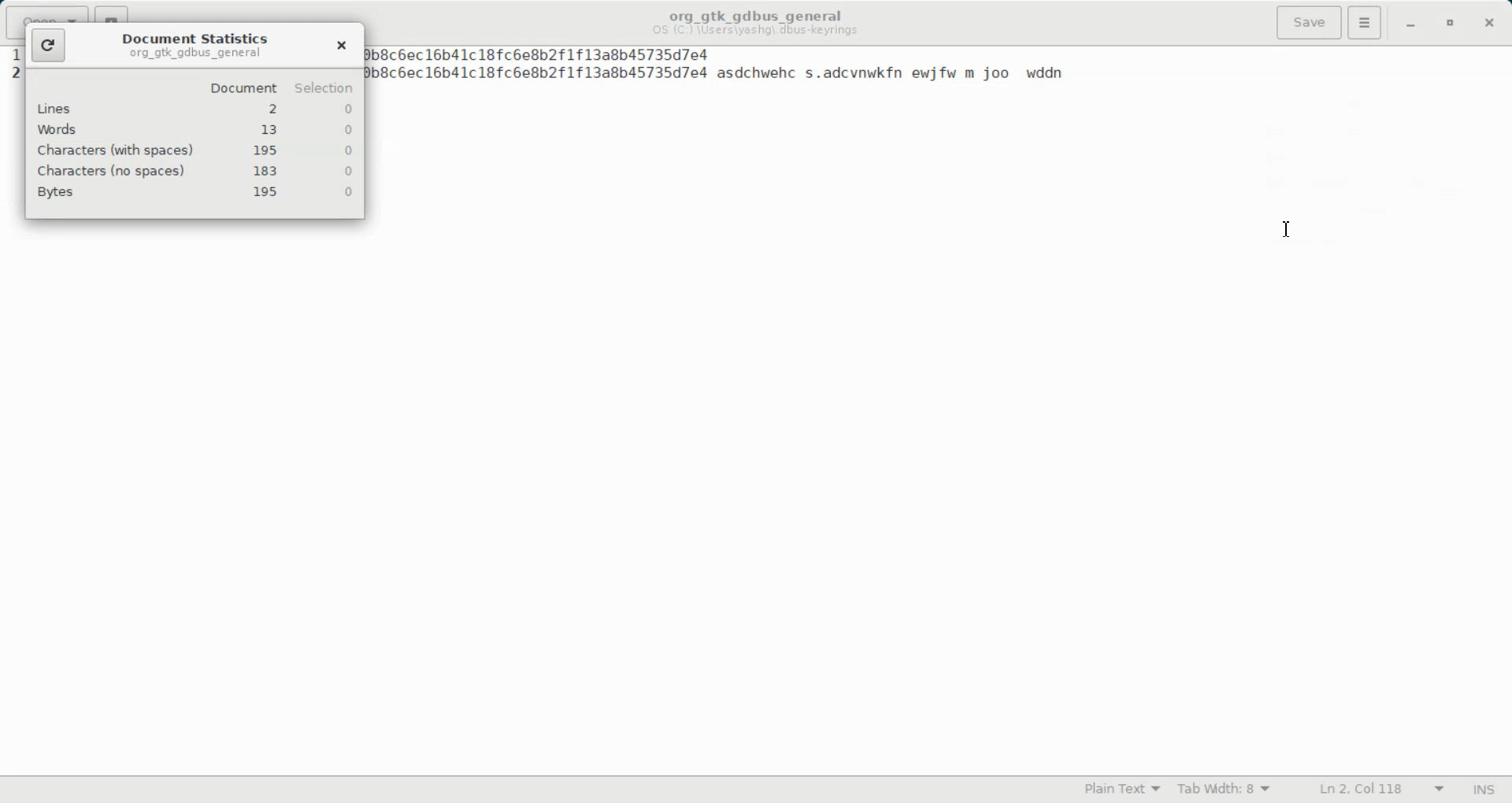  What do you see at coordinates (1411, 24) in the screenshot?
I see `Minimize` at bounding box center [1411, 24].